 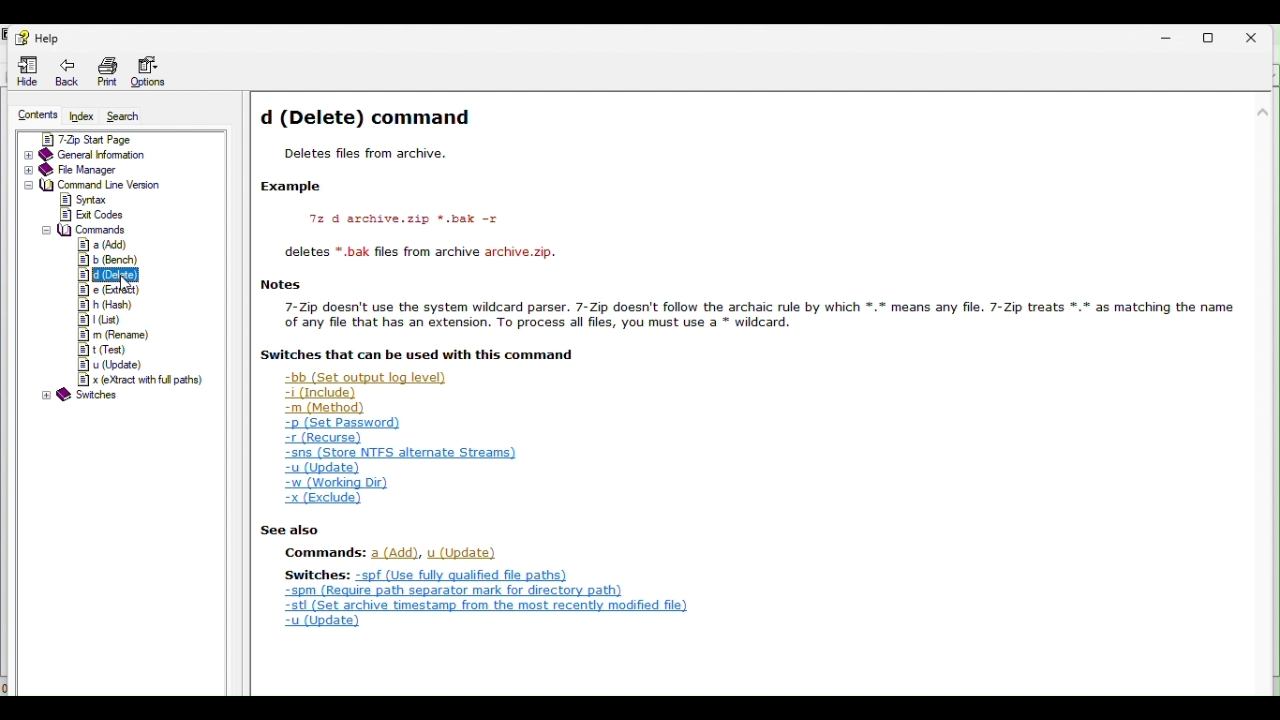 I want to click on som (Require path separator mark for directory path, so click(x=453, y=590).